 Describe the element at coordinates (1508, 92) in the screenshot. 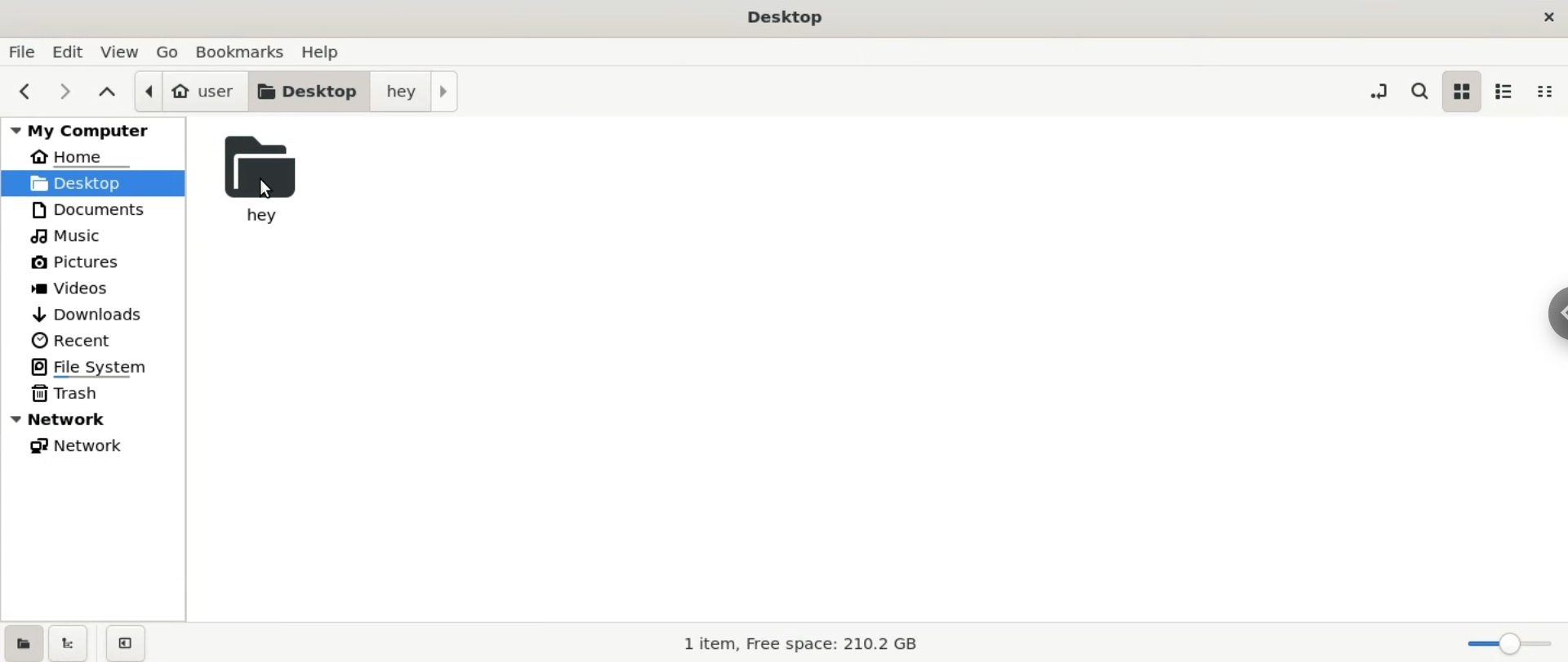

I see `list view` at that location.